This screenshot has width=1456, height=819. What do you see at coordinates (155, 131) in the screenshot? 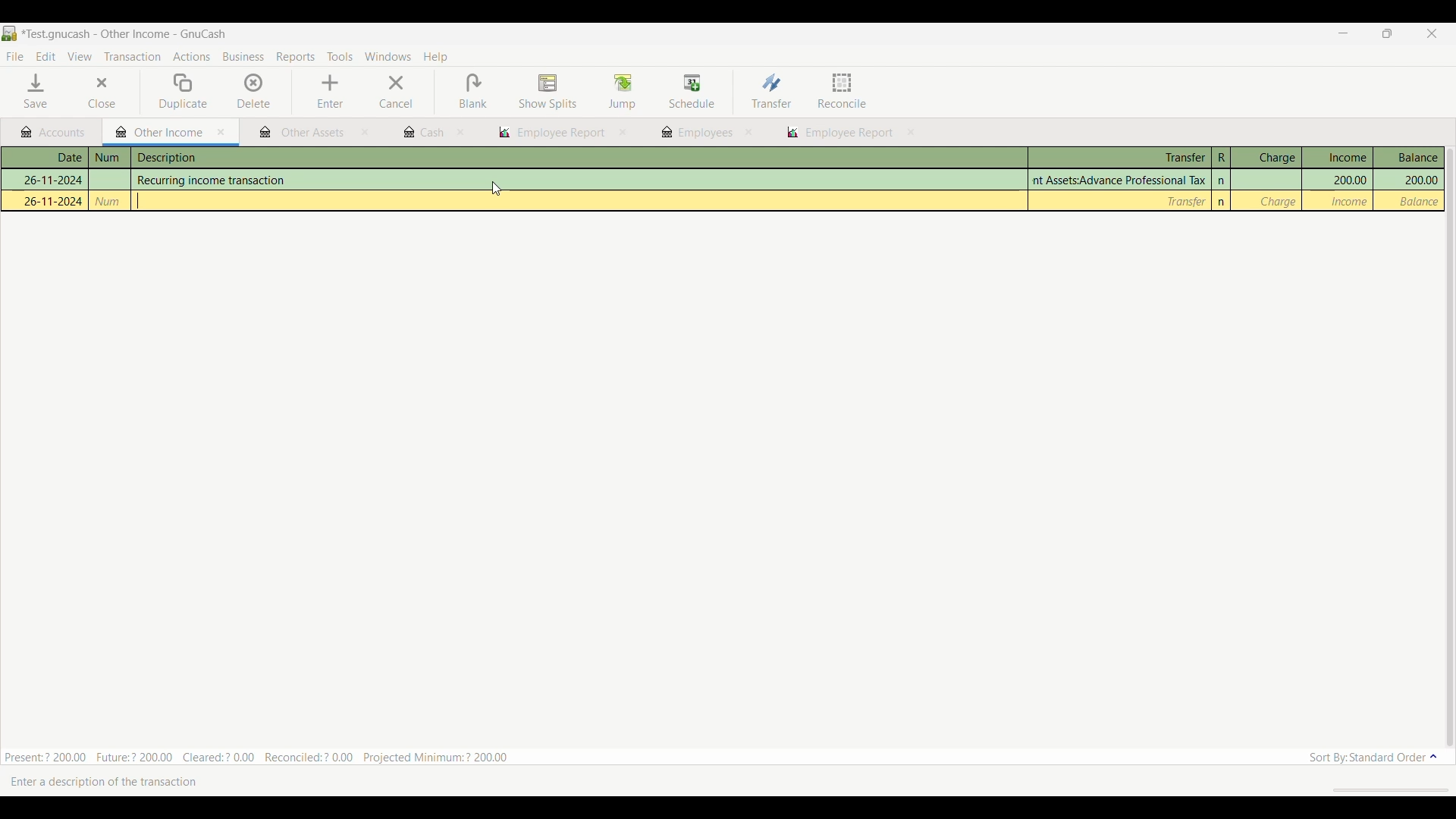
I see `Current tab highlight` at bounding box center [155, 131].